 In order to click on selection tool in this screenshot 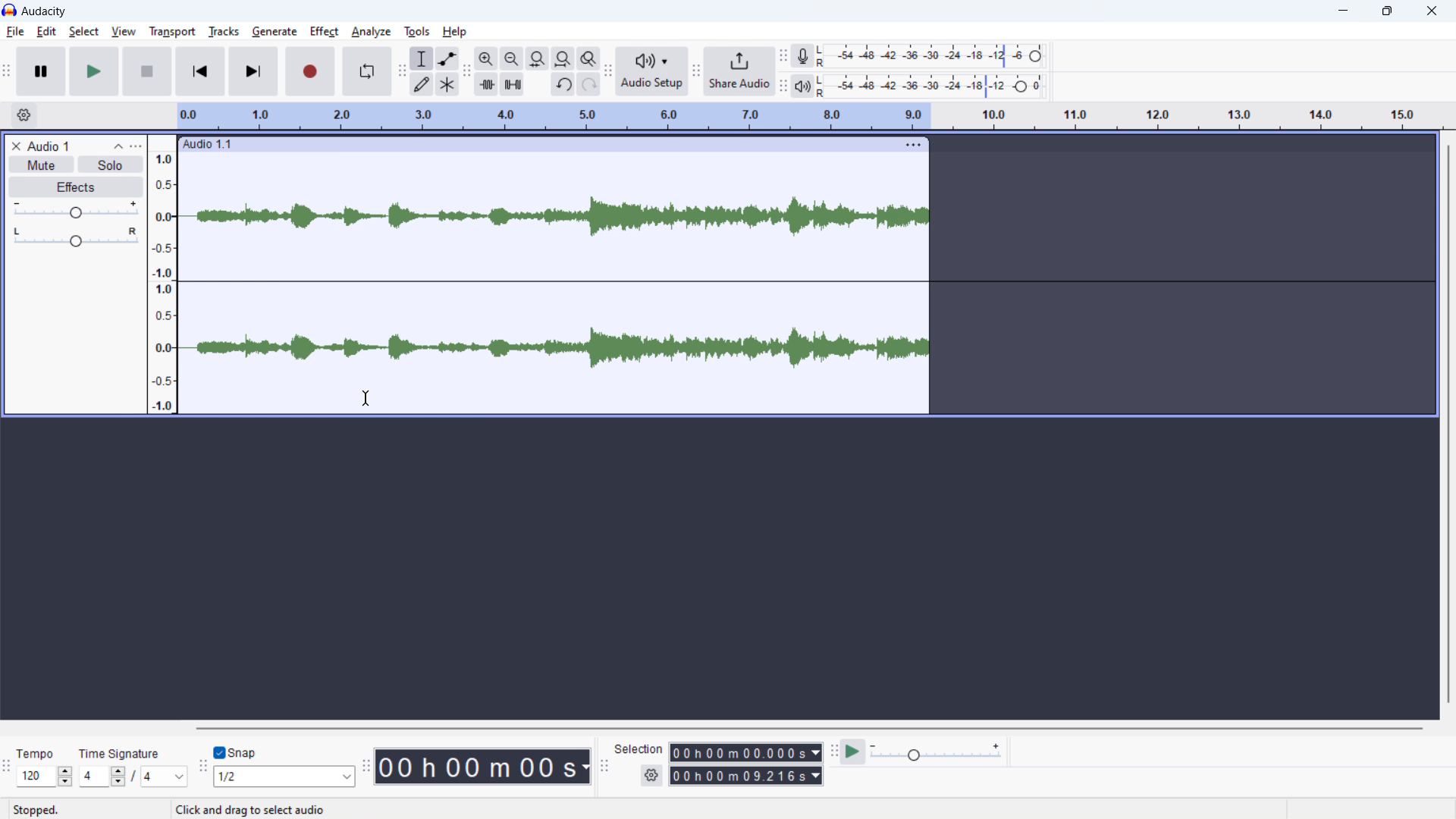, I will do `click(422, 58)`.